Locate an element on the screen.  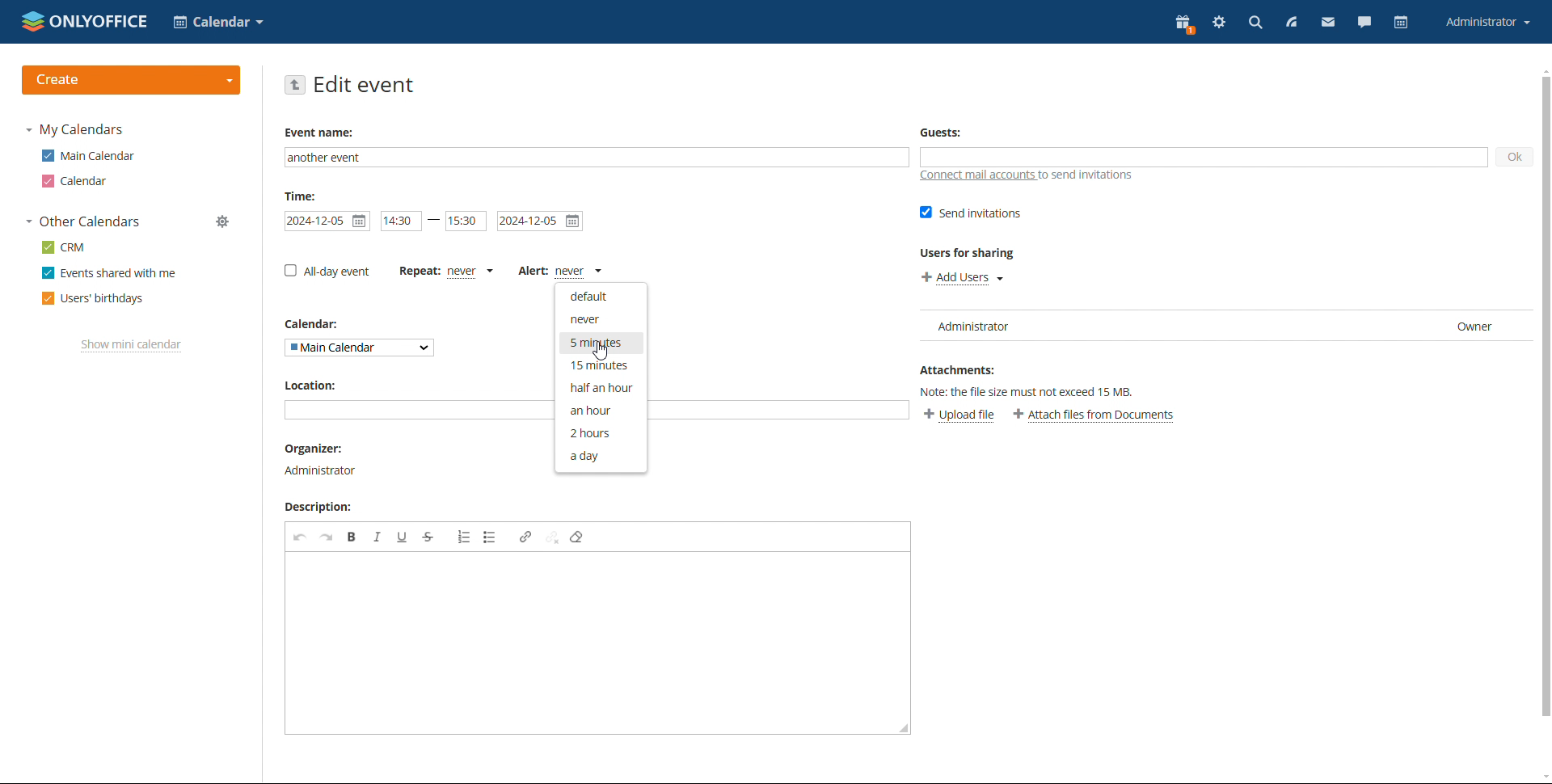
insert/remove bulleted list is located at coordinates (490, 537).